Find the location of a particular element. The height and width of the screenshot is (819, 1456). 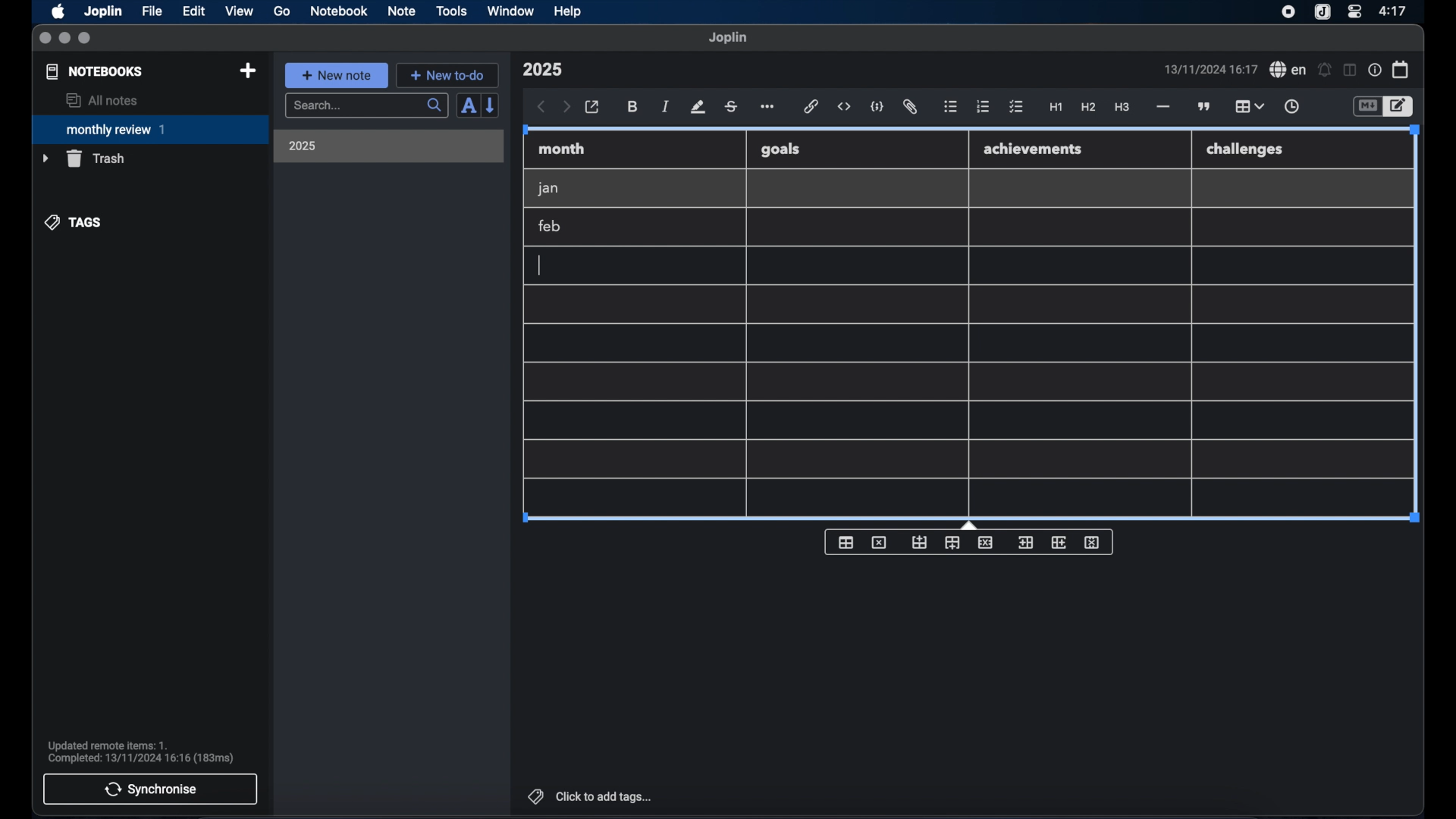

maximize is located at coordinates (86, 39).